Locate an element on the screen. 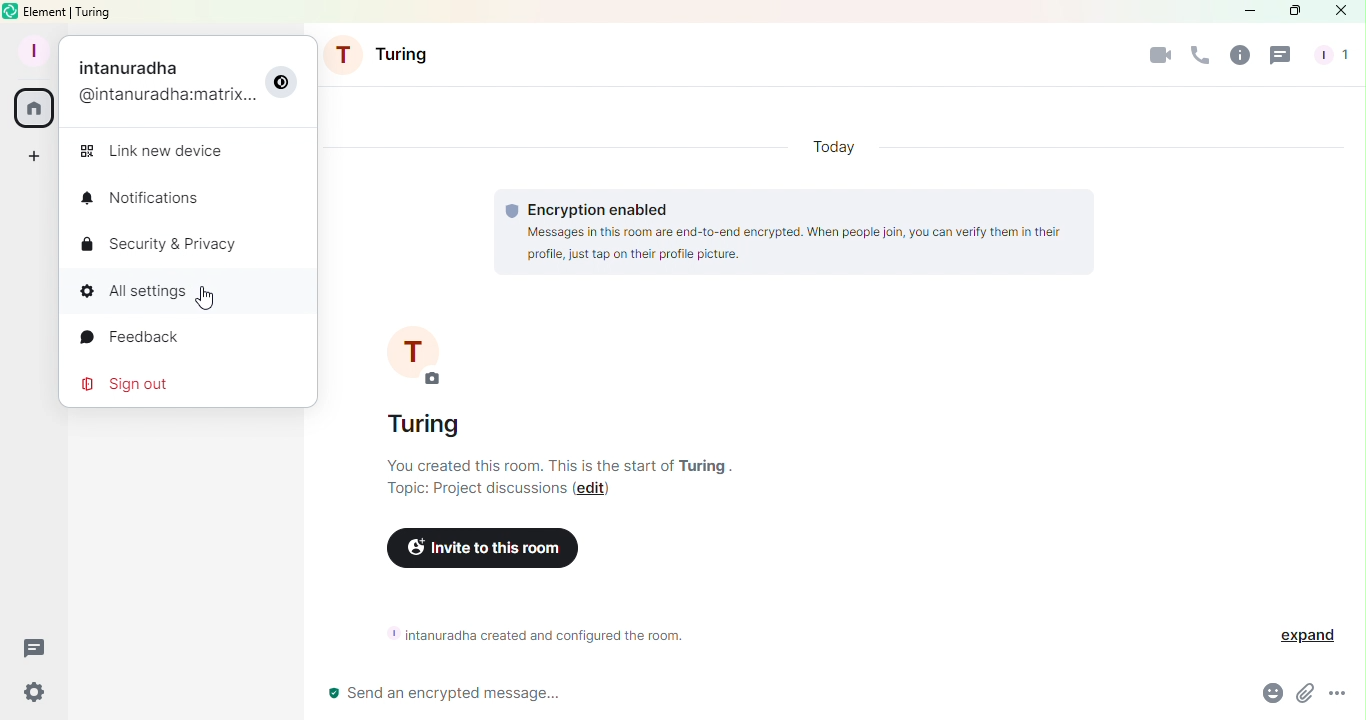 The width and height of the screenshot is (1366, 720). turing is located at coordinates (437, 427).